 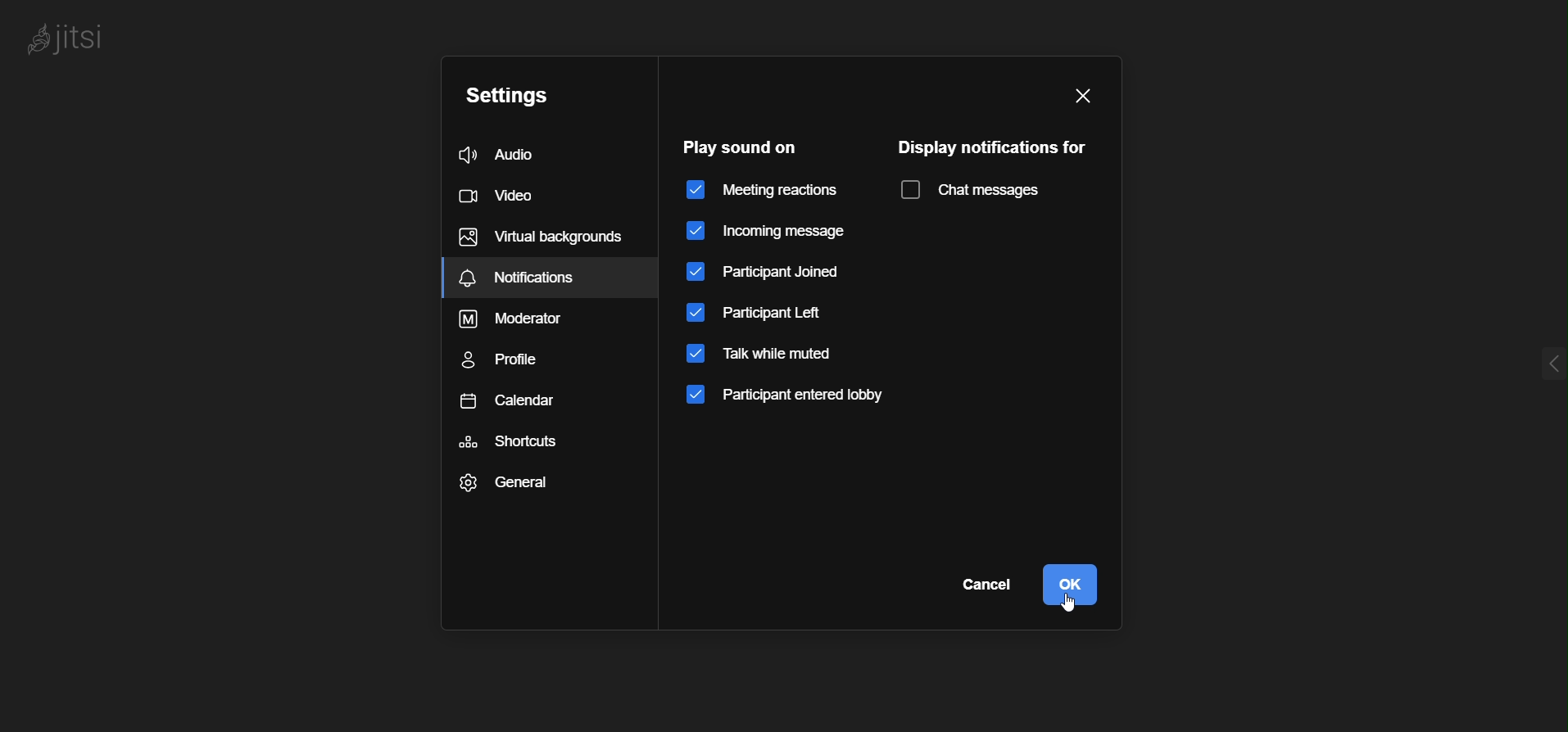 What do you see at coordinates (1523, 352) in the screenshot?
I see `expand` at bounding box center [1523, 352].